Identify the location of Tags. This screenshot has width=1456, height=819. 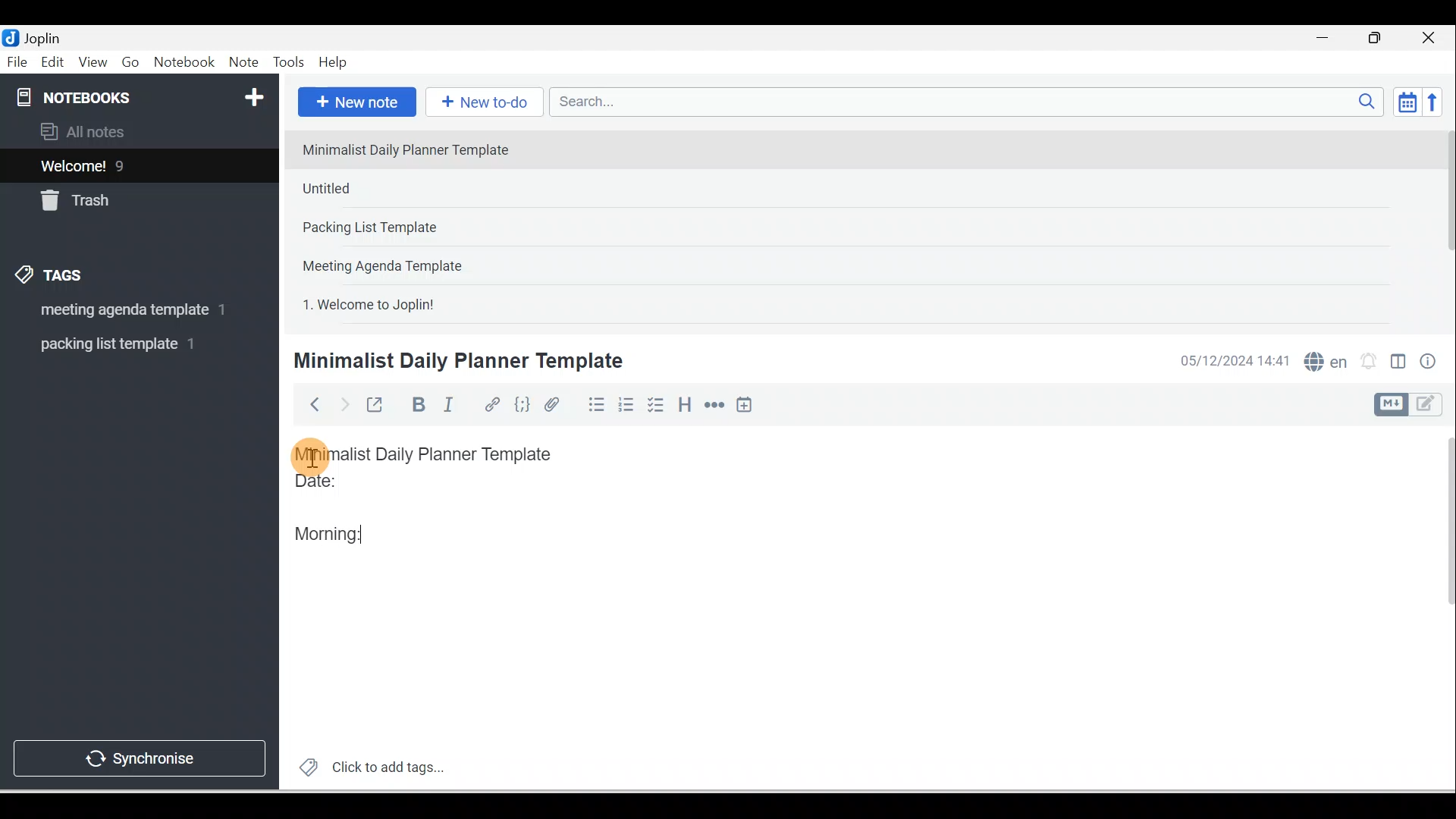
(54, 278).